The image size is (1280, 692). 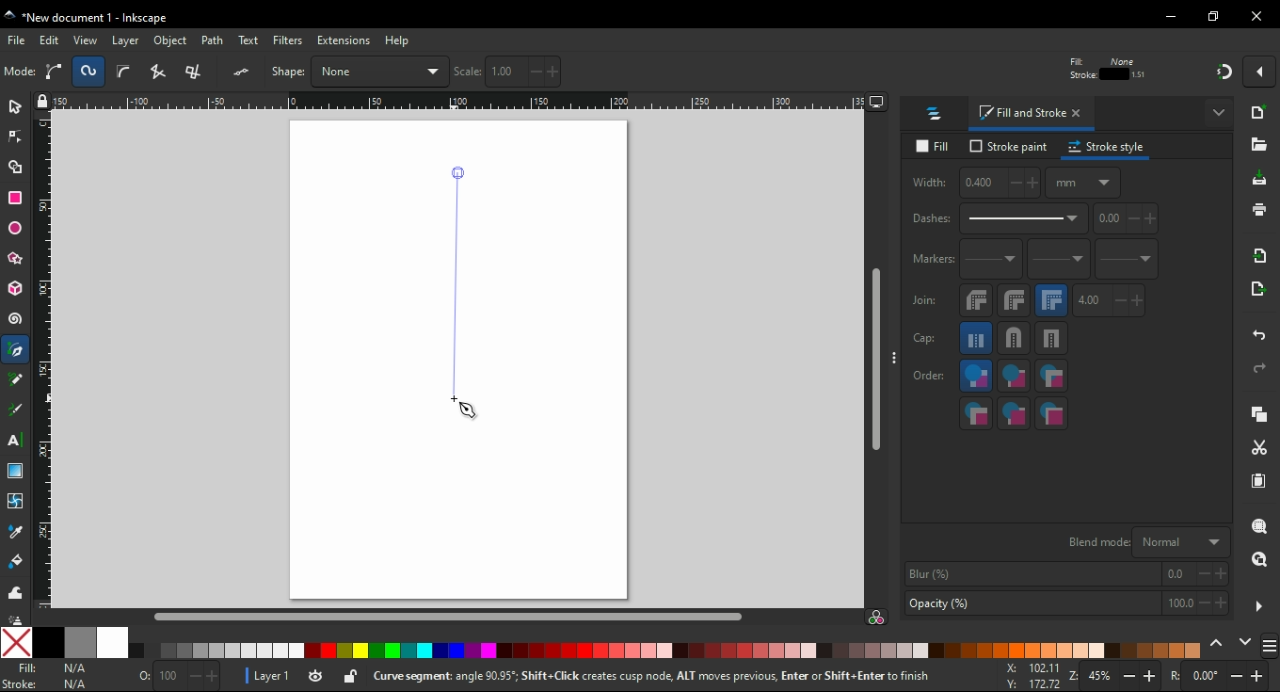 What do you see at coordinates (91, 70) in the screenshot?
I see `deselect` at bounding box center [91, 70].